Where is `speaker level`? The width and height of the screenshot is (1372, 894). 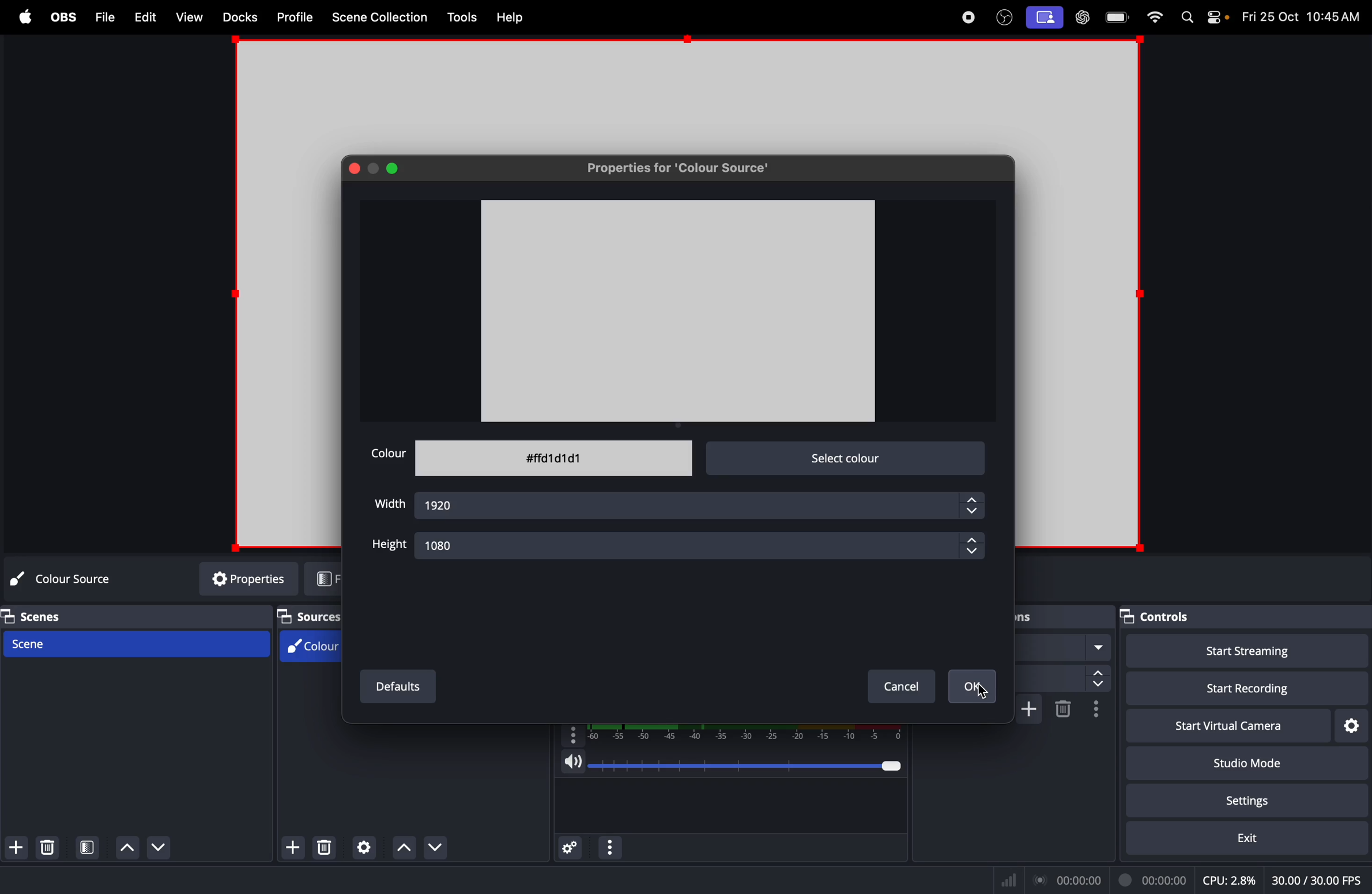
speaker level is located at coordinates (734, 756).